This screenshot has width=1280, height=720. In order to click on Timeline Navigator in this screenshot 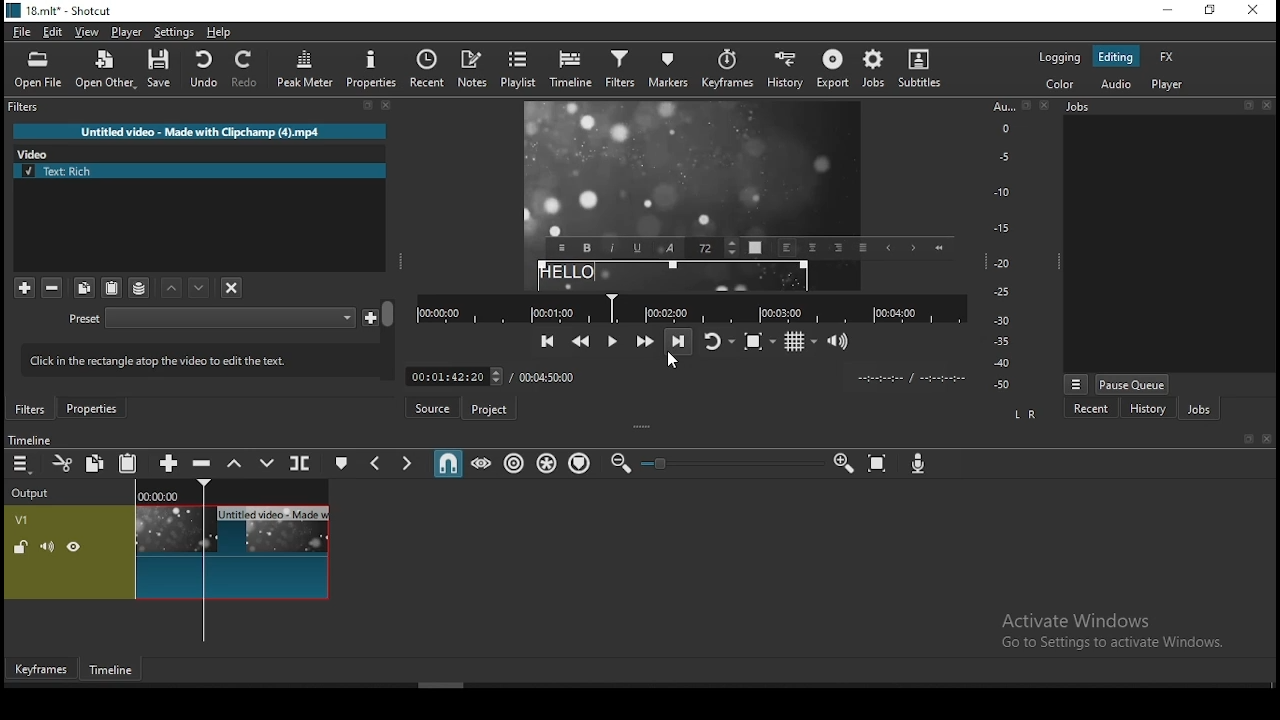, I will do `click(691, 309)`.